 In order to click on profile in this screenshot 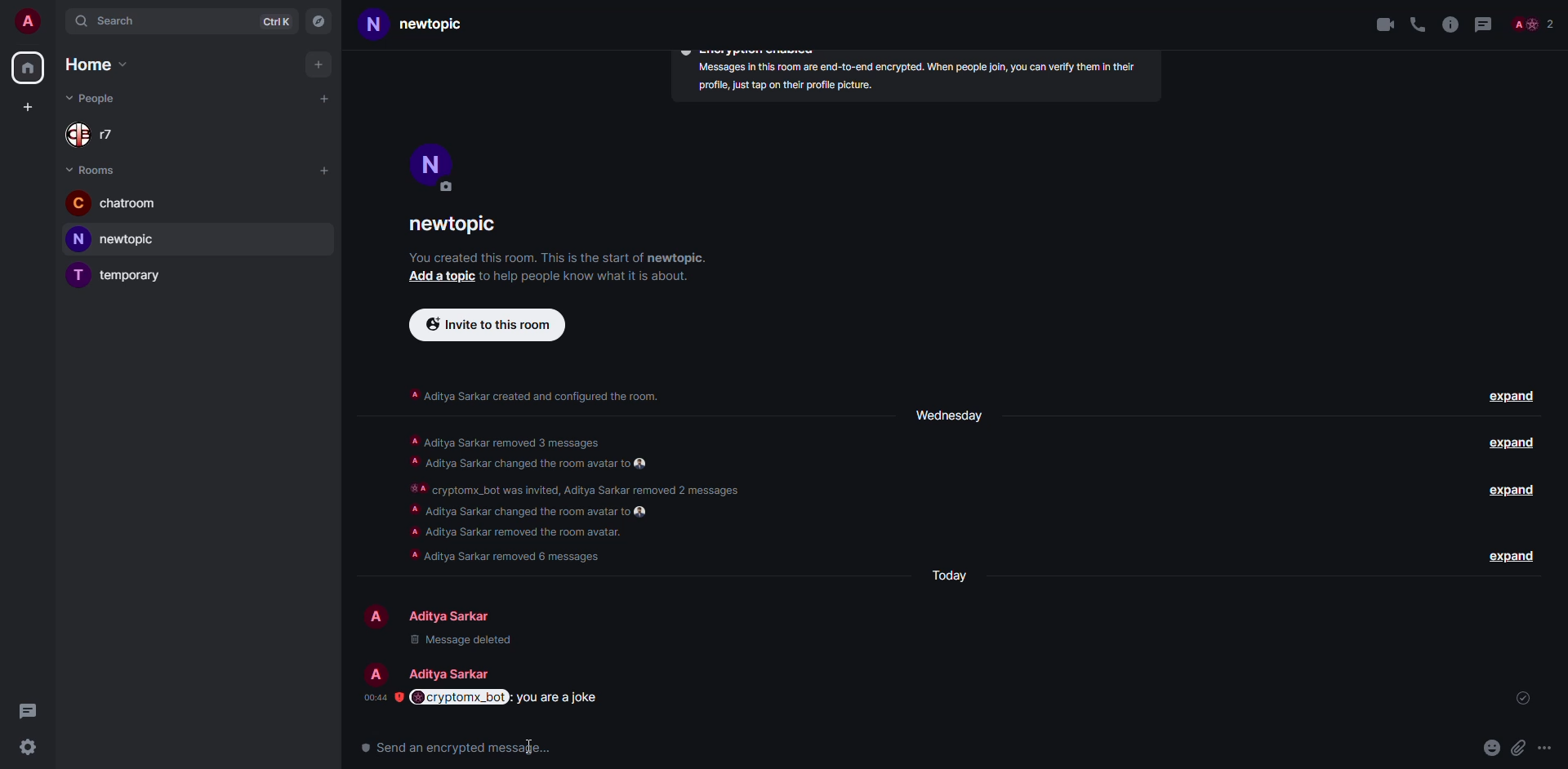, I will do `click(434, 171)`.